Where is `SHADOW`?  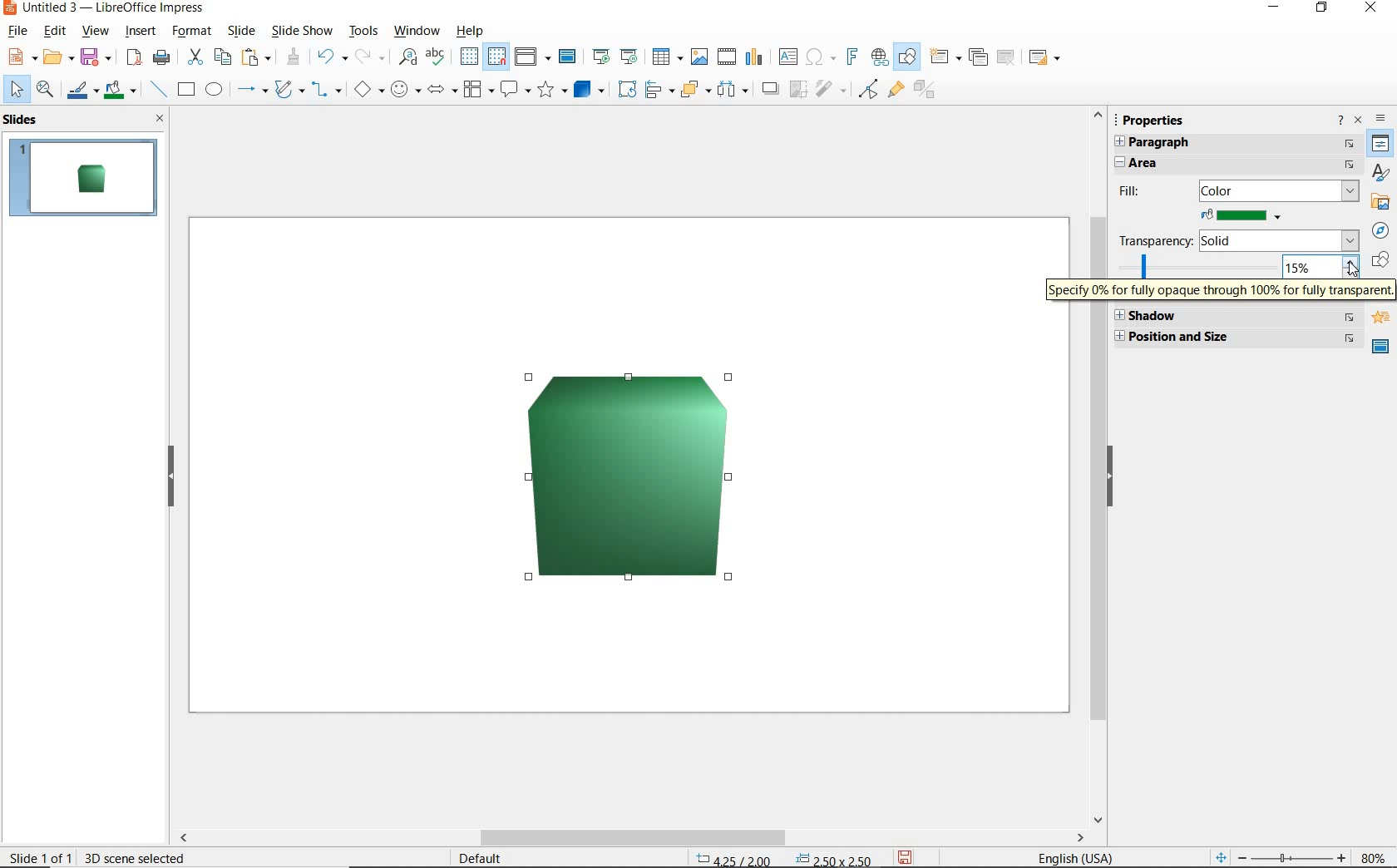 SHADOW is located at coordinates (773, 91).